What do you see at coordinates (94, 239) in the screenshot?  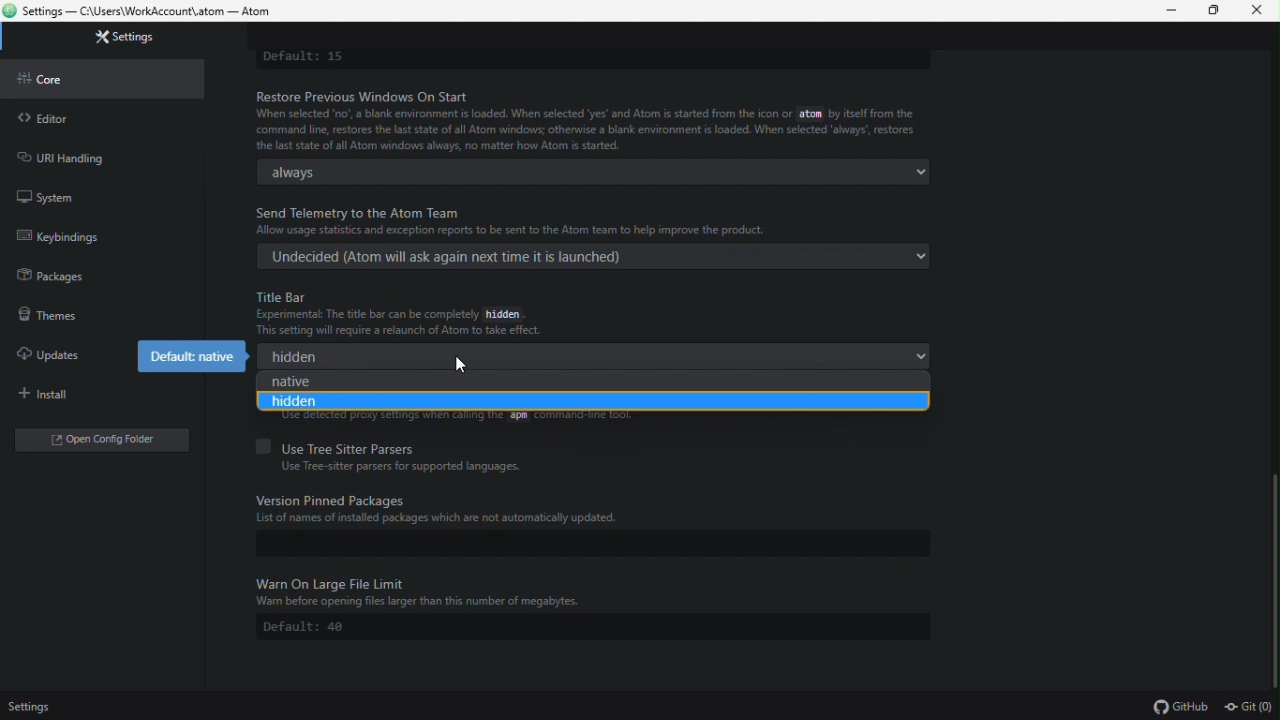 I see `key bindings` at bounding box center [94, 239].